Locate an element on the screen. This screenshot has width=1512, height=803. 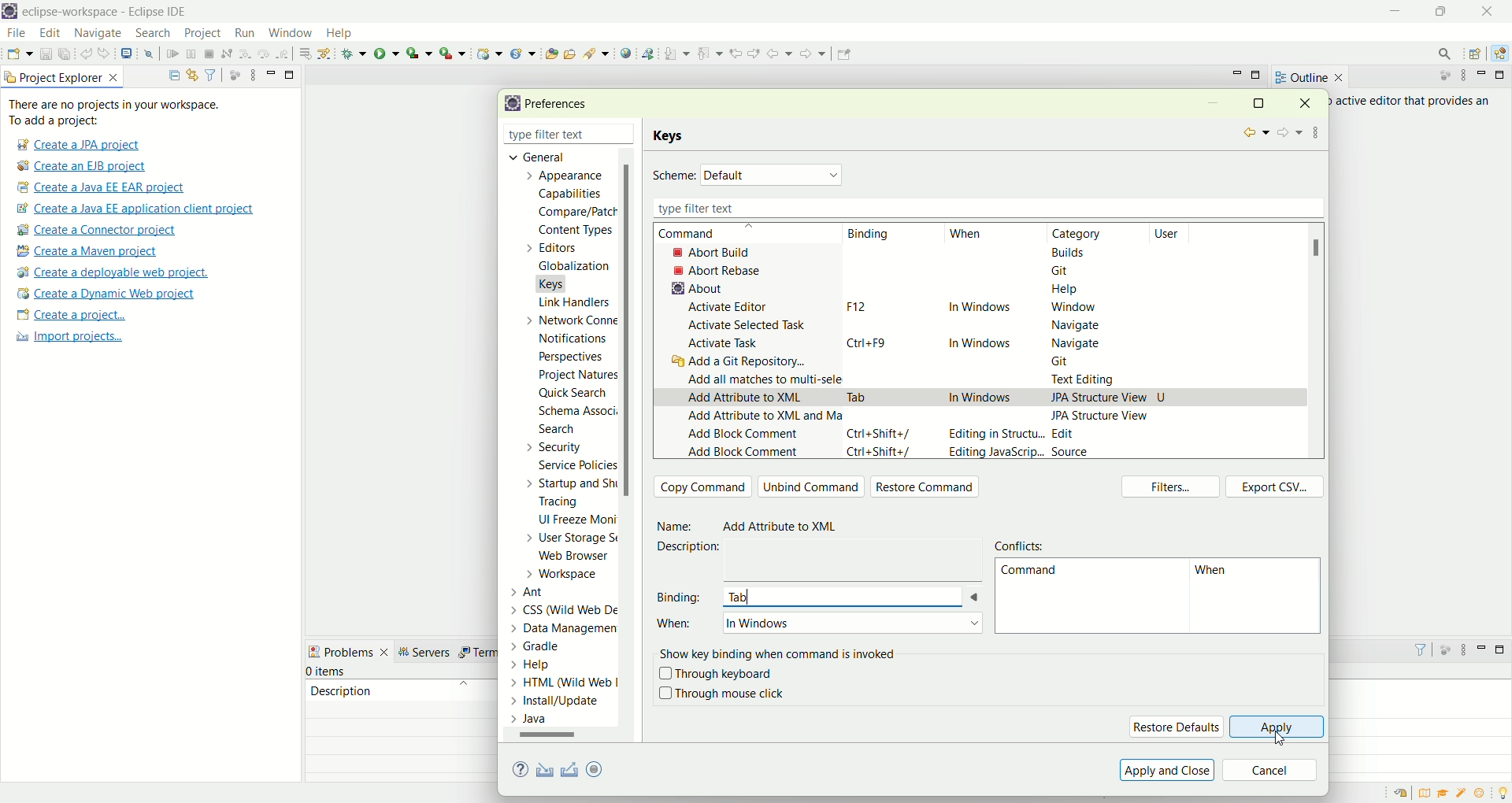
keys is located at coordinates (672, 136).